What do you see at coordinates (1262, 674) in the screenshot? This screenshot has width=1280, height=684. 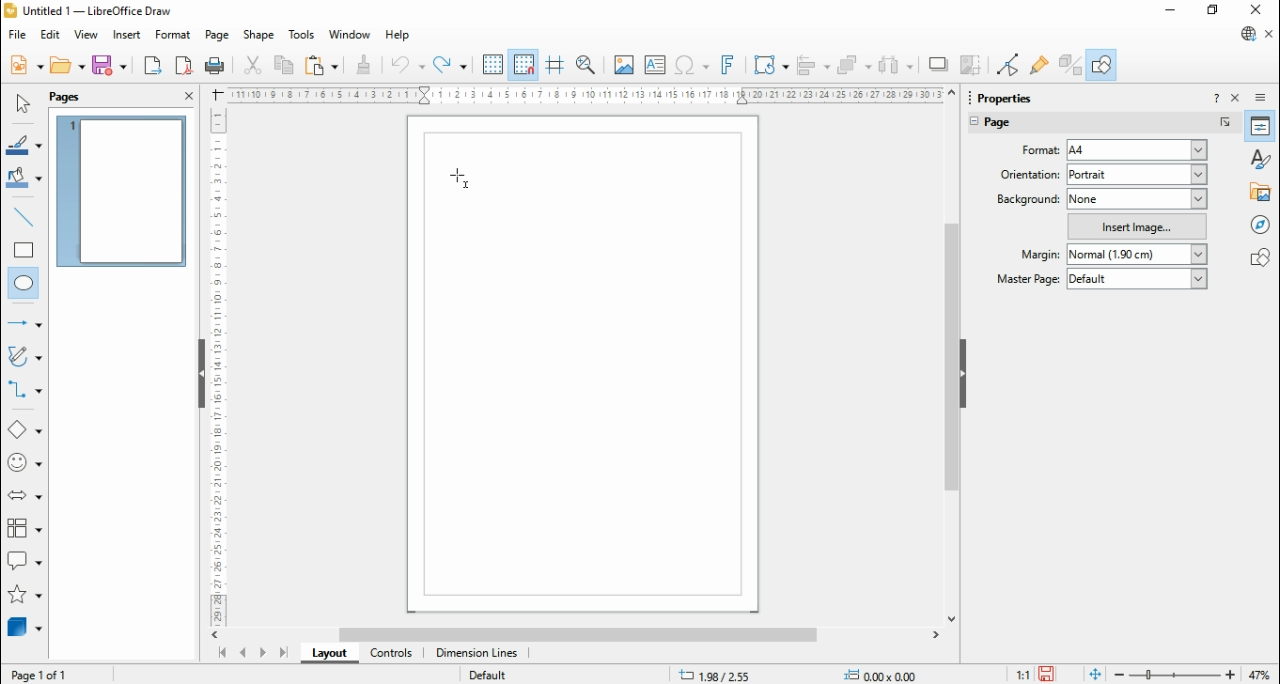 I see `47%` at bounding box center [1262, 674].